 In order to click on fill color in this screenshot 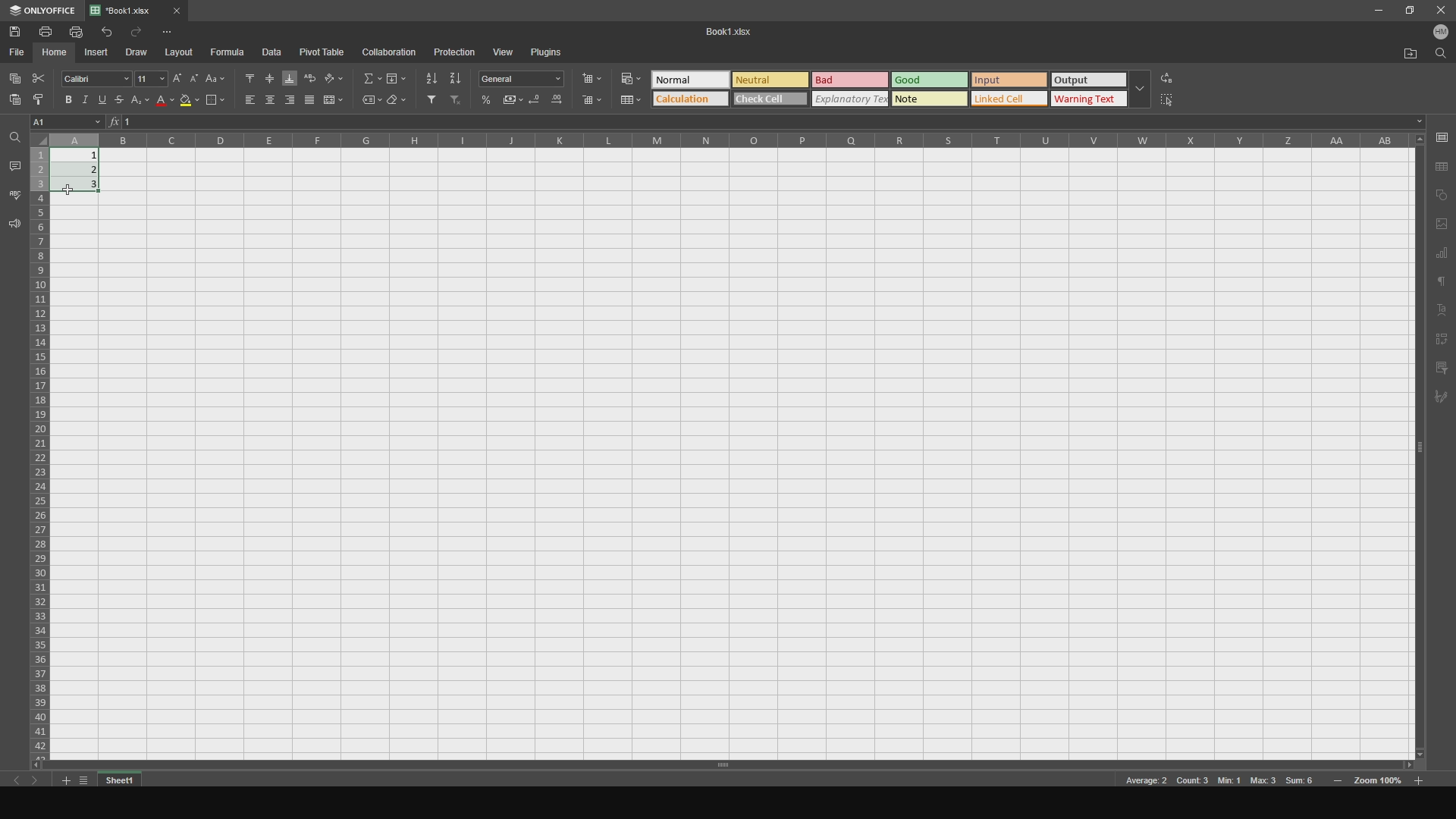, I will do `click(189, 103)`.